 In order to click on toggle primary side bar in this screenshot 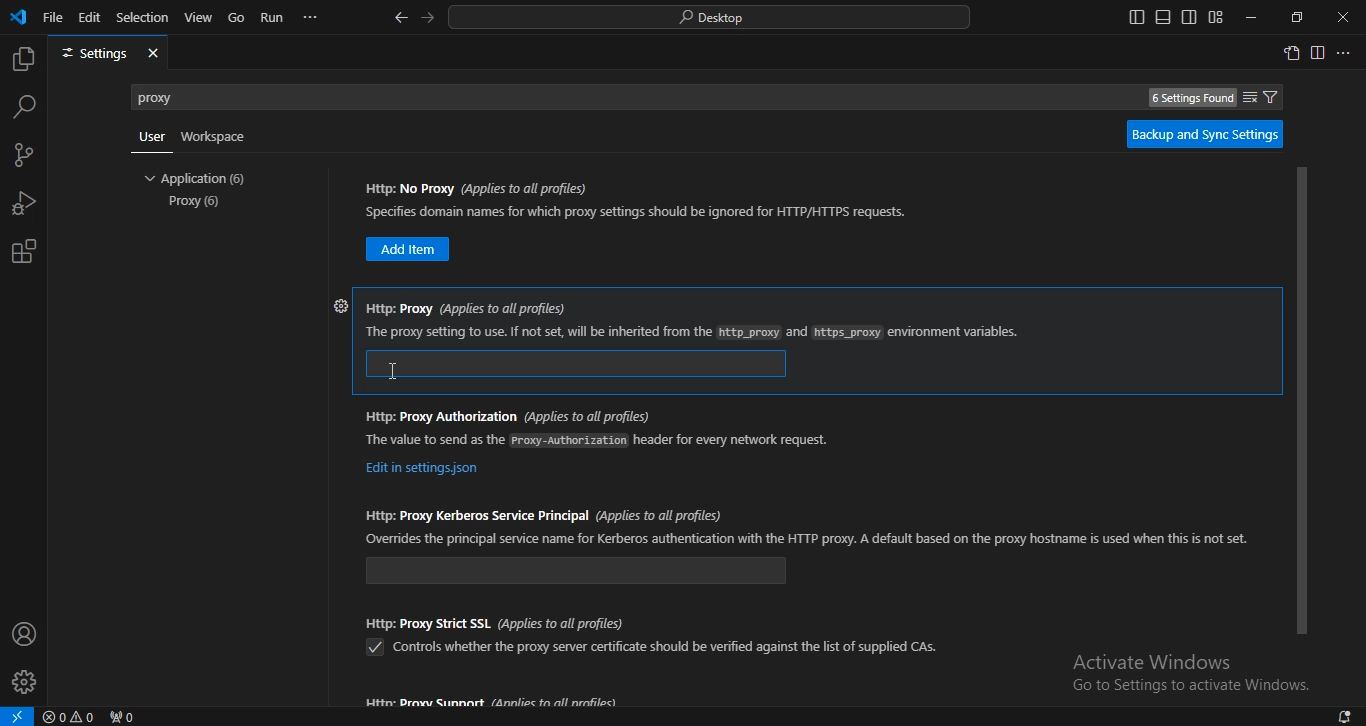, I will do `click(1134, 18)`.